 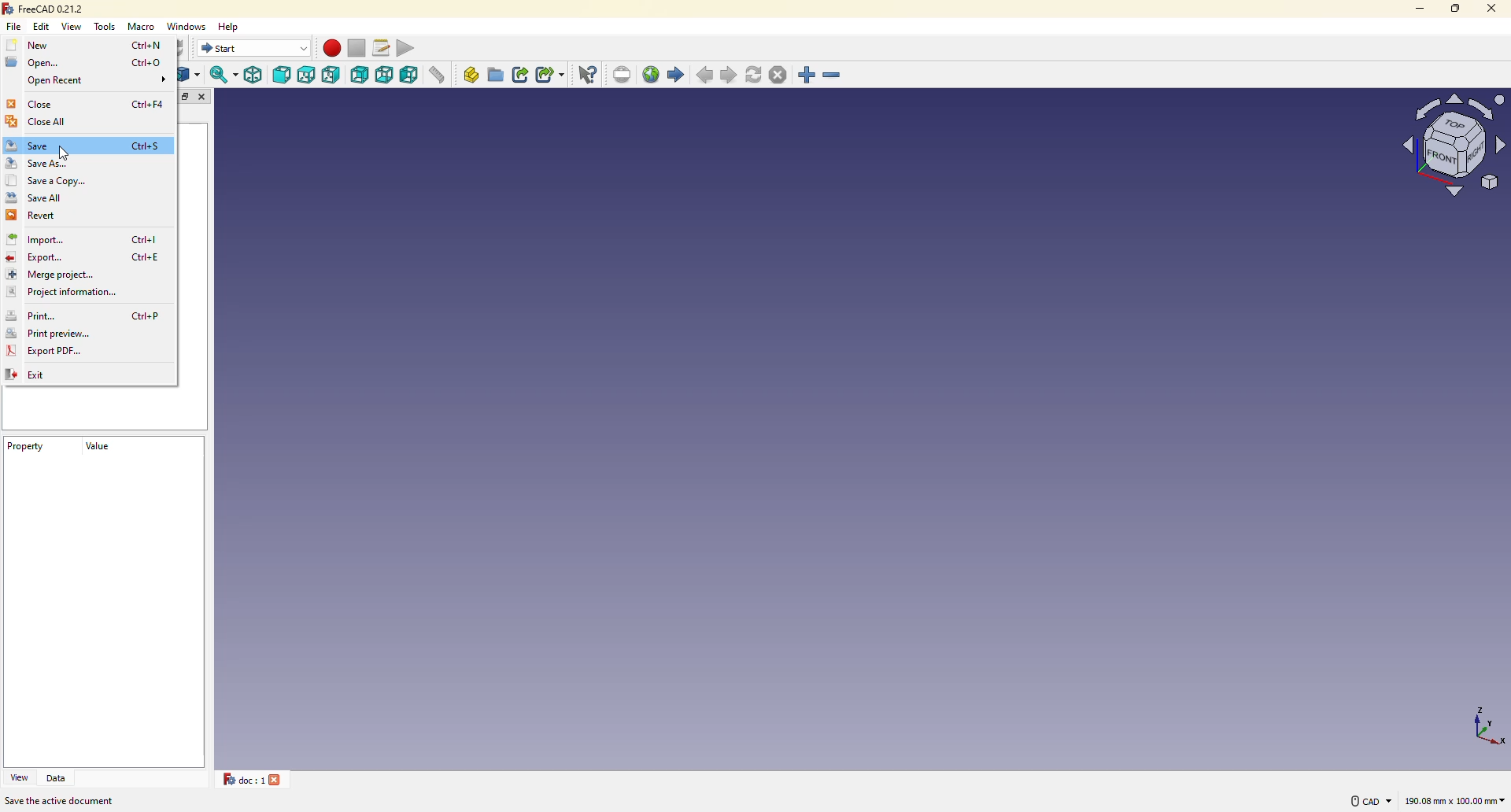 What do you see at coordinates (730, 76) in the screenshot?
I see `next page` at bounding box center [730, 76].